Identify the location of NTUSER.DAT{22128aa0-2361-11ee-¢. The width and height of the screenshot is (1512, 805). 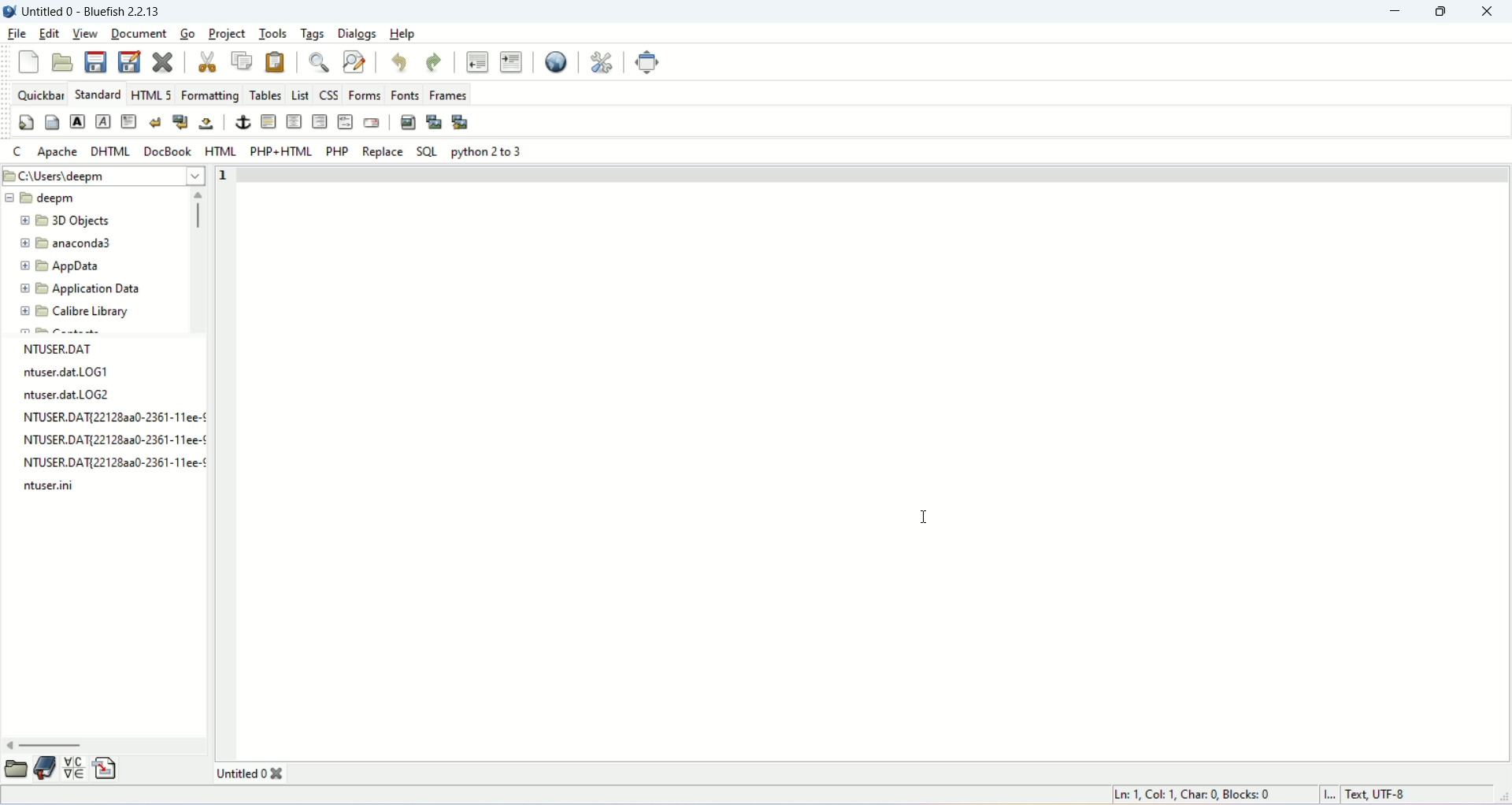
(109, 463).